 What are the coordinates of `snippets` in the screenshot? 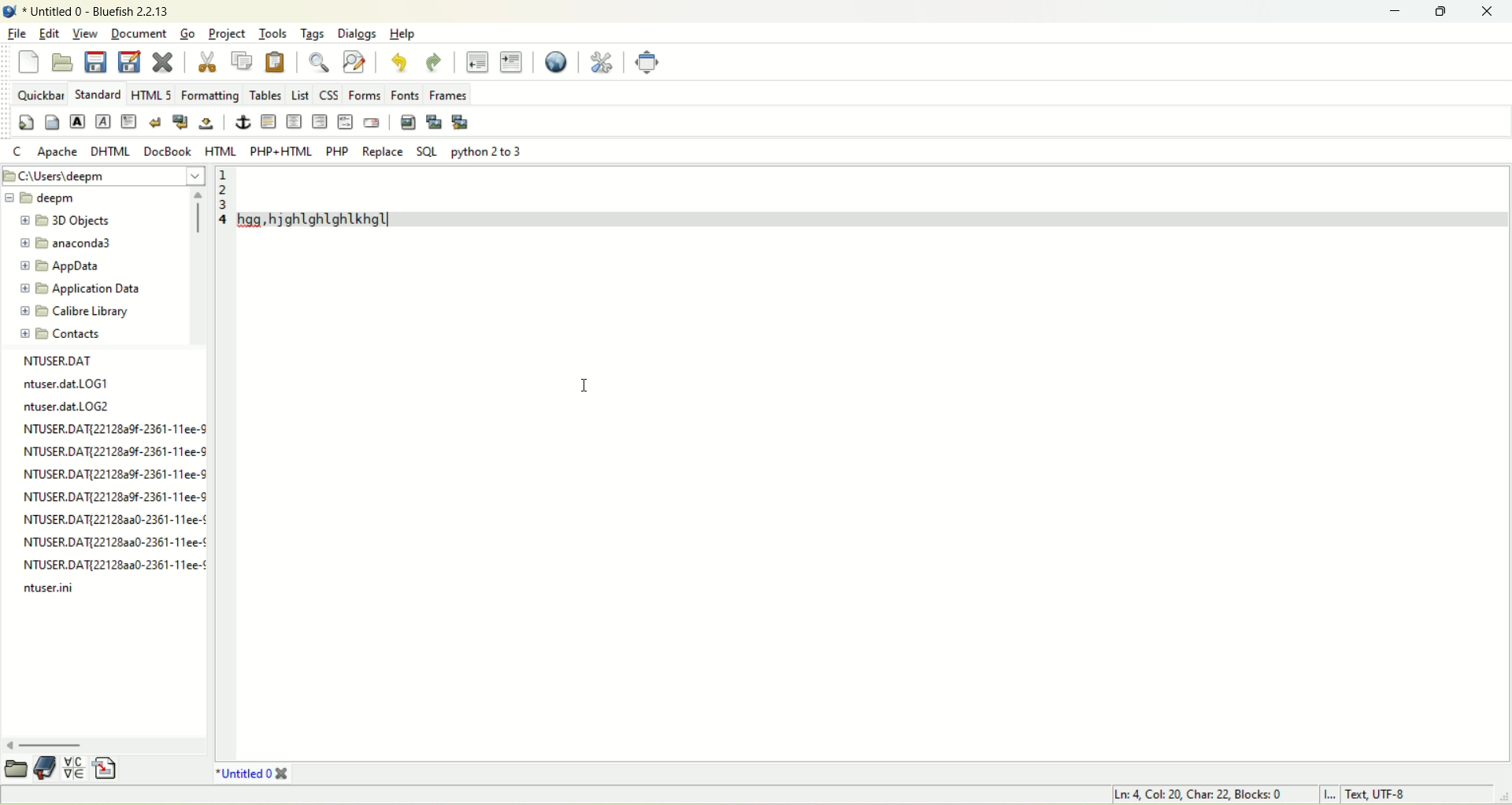 It's located at (108, 767).